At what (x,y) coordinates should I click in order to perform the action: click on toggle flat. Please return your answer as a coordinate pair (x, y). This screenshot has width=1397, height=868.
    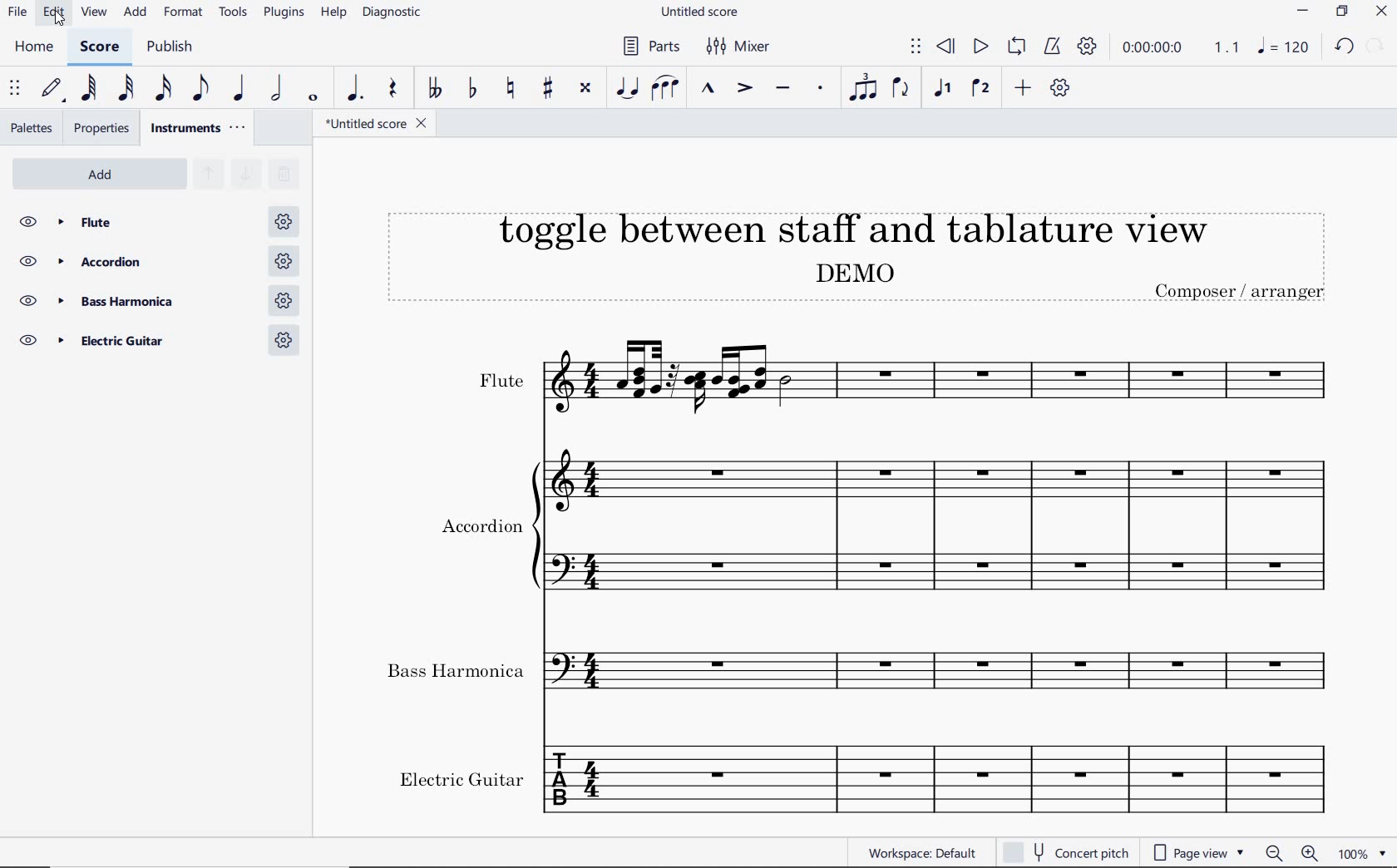
    Looking at the image, I should click on (473, 88).